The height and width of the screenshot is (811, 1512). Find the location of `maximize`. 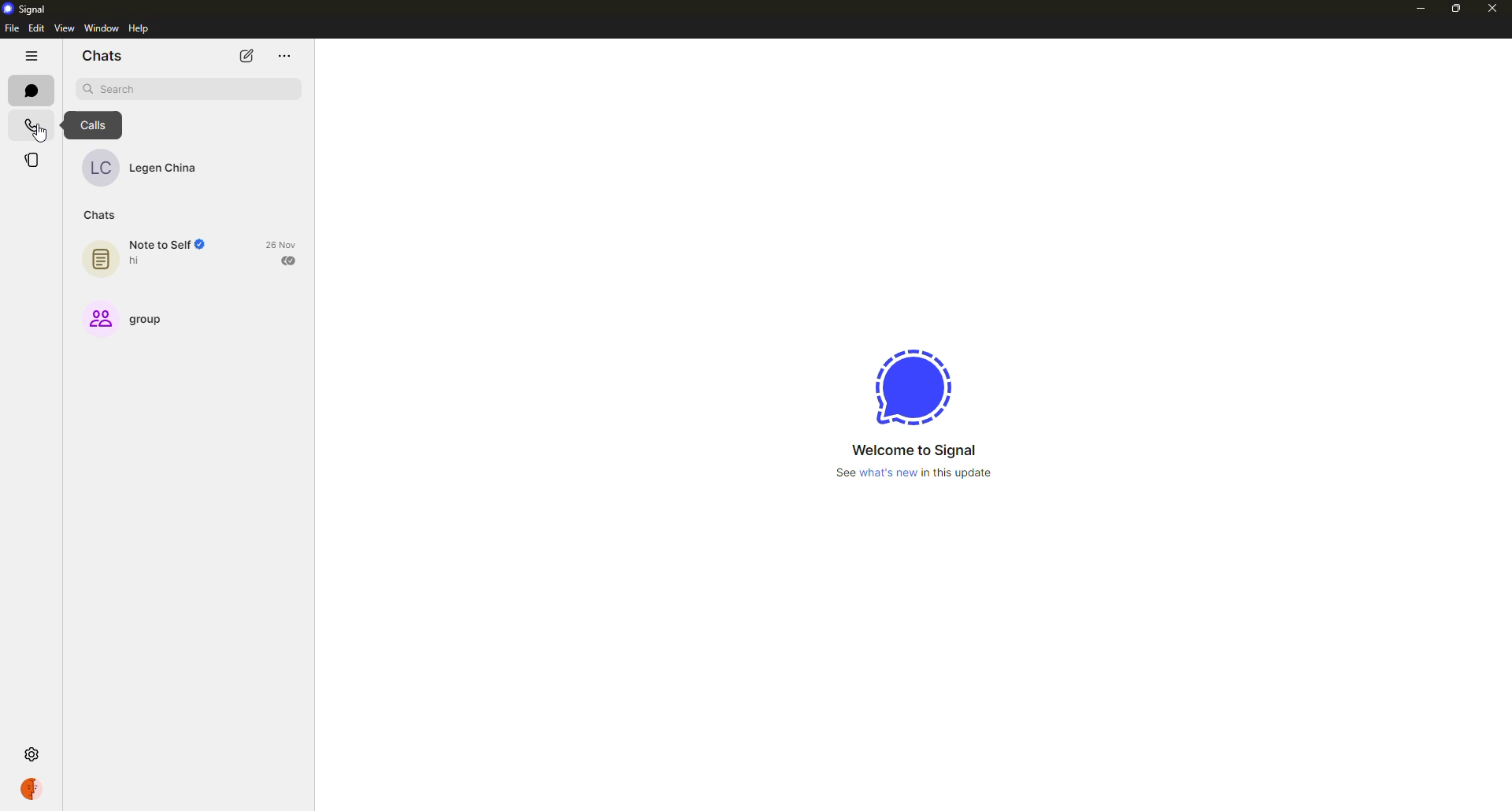

maximize is located at coordinates (1455, 9).